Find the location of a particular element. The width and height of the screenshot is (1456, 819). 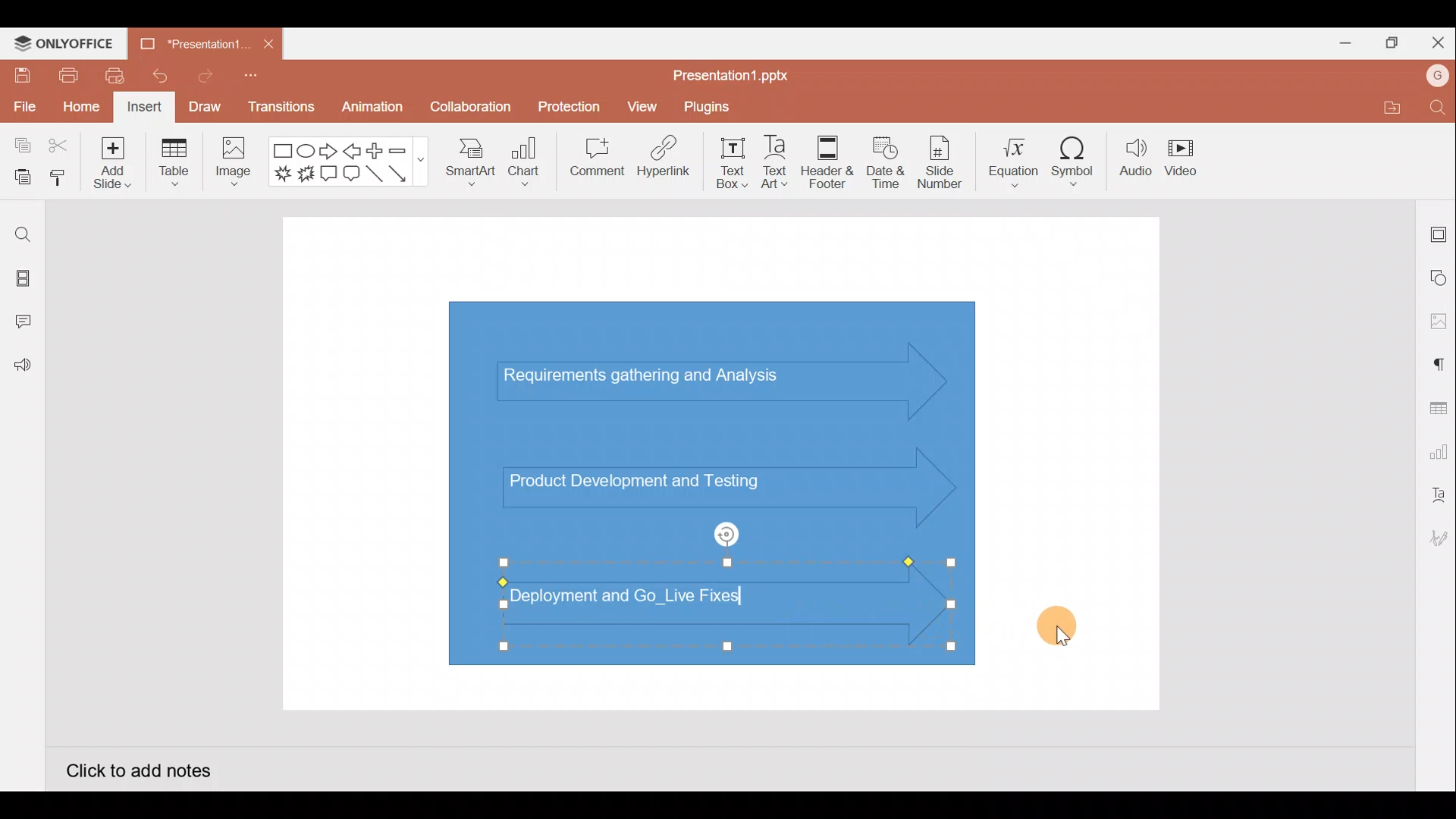

Transitions is located at coordinates (282, 111).